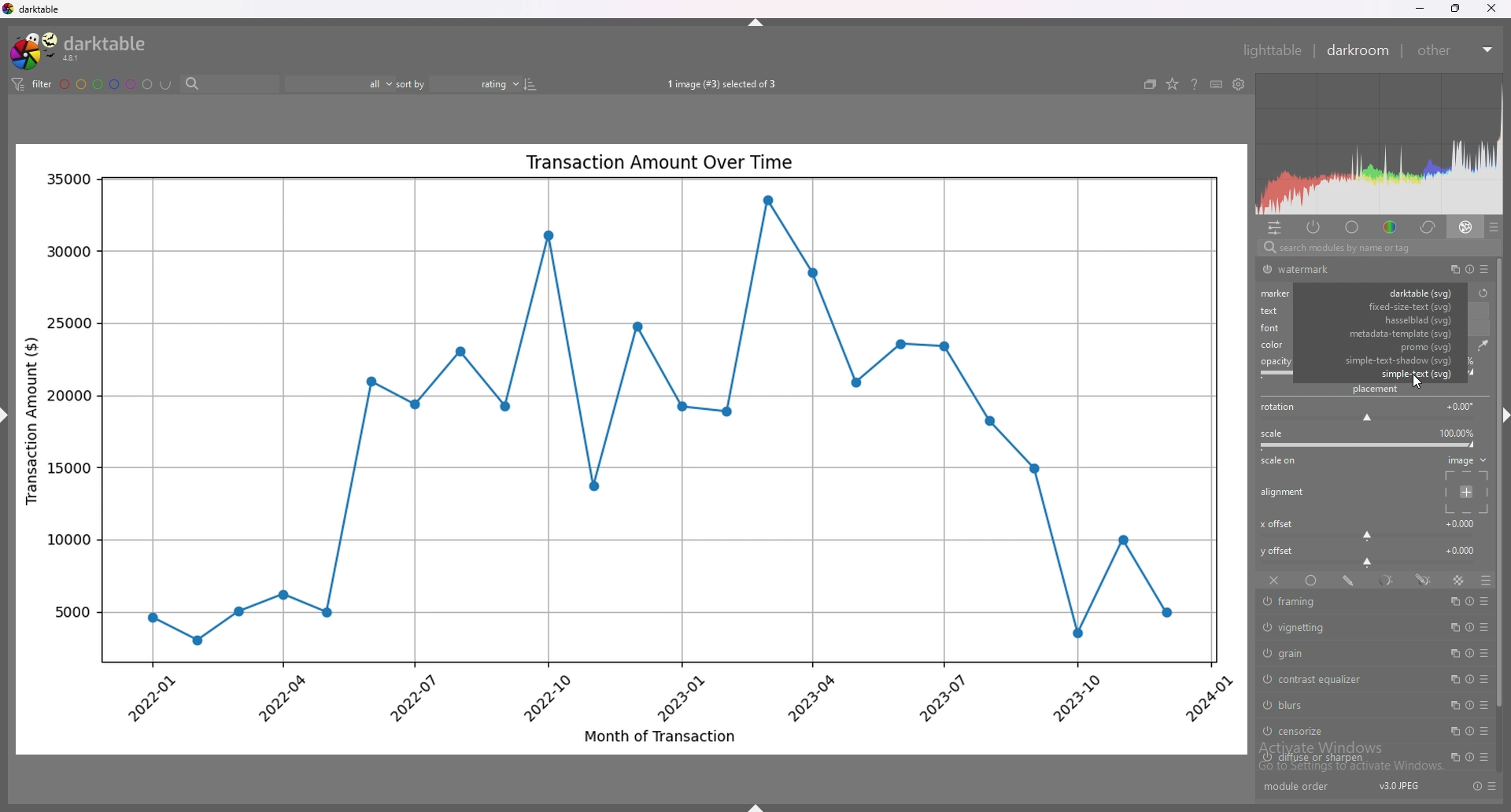  What do you see at coordinates (1366, 419) in the screenshot?
I see `rotation bar` at bounding box center [1366, 419].